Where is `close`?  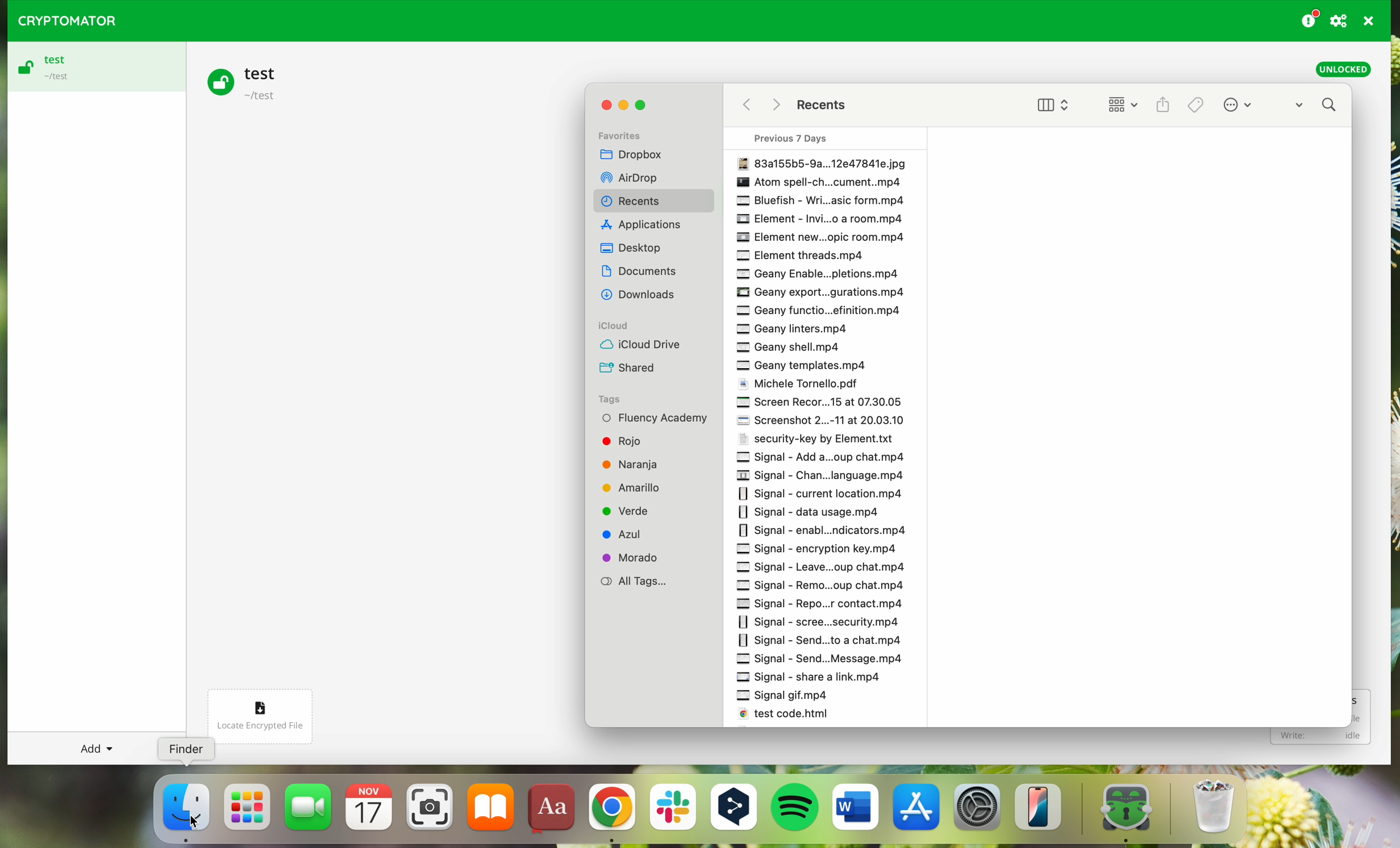
close is located at coordinates (602, 107).